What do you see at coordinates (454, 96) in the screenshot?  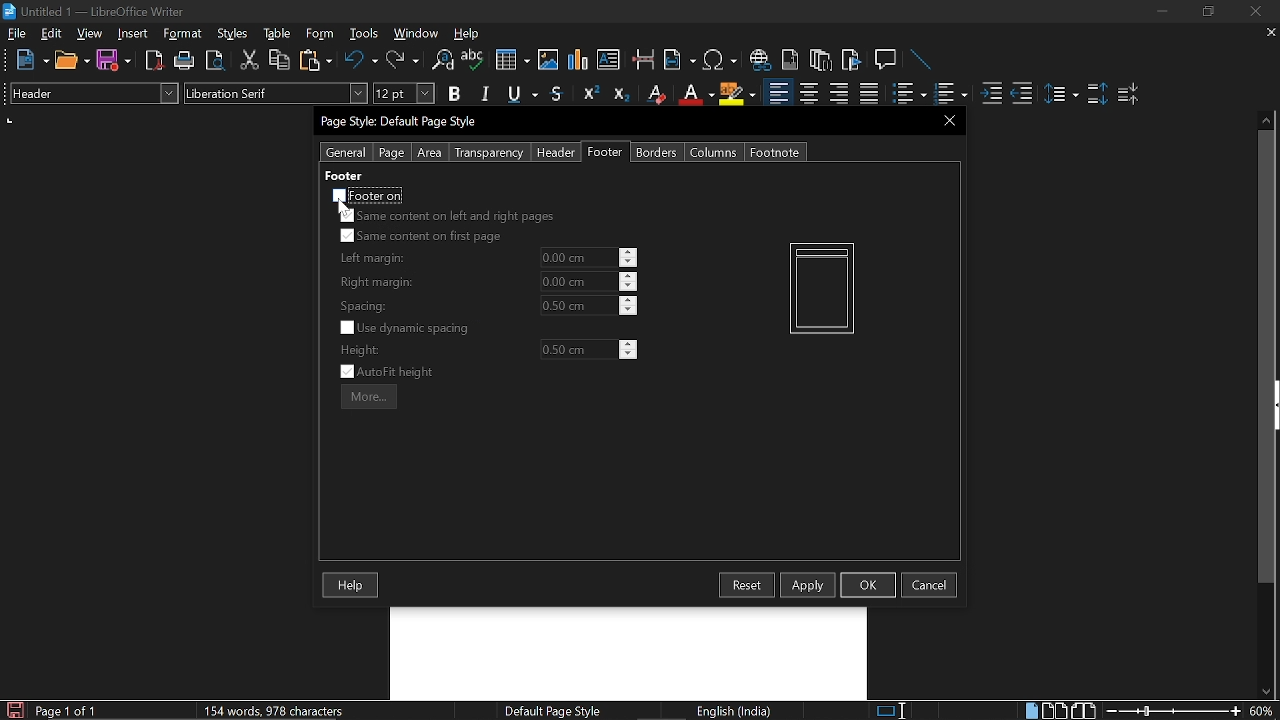 I see `Bold` at bounding box center [454, 96].